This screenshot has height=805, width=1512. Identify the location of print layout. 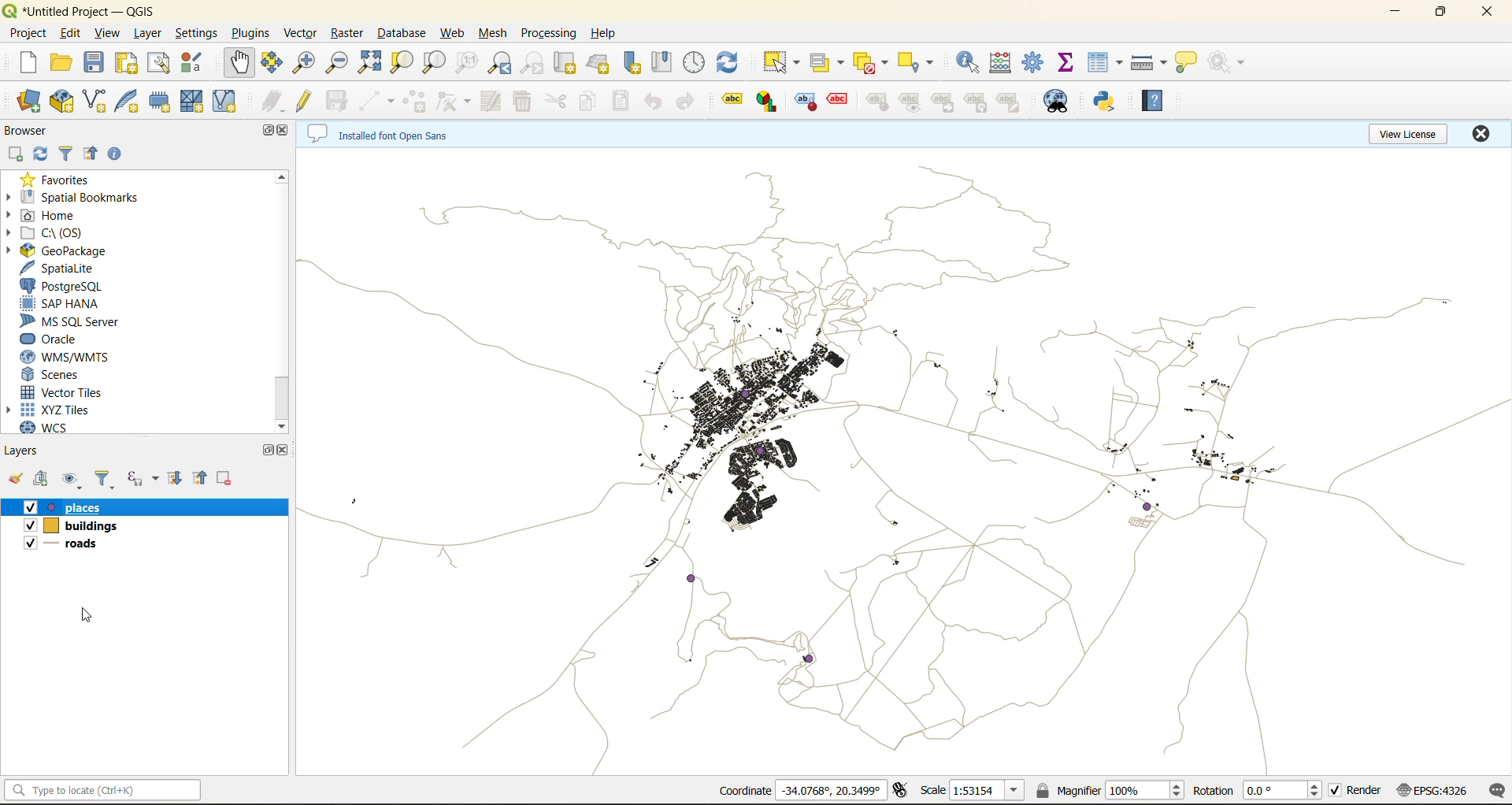
(130, 65).